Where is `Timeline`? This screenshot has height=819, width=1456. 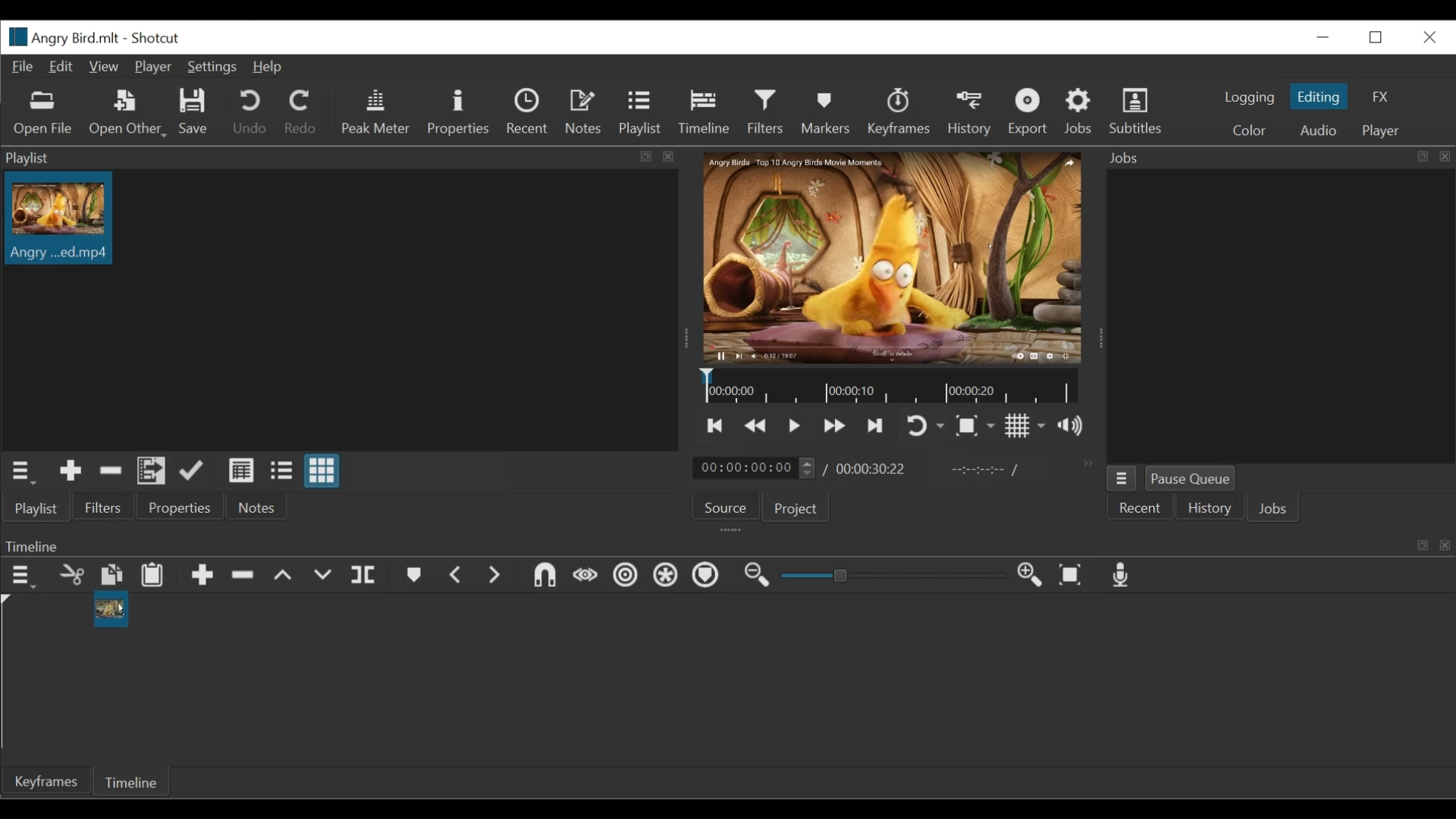
Timeline is located at coordinates (134, 780).